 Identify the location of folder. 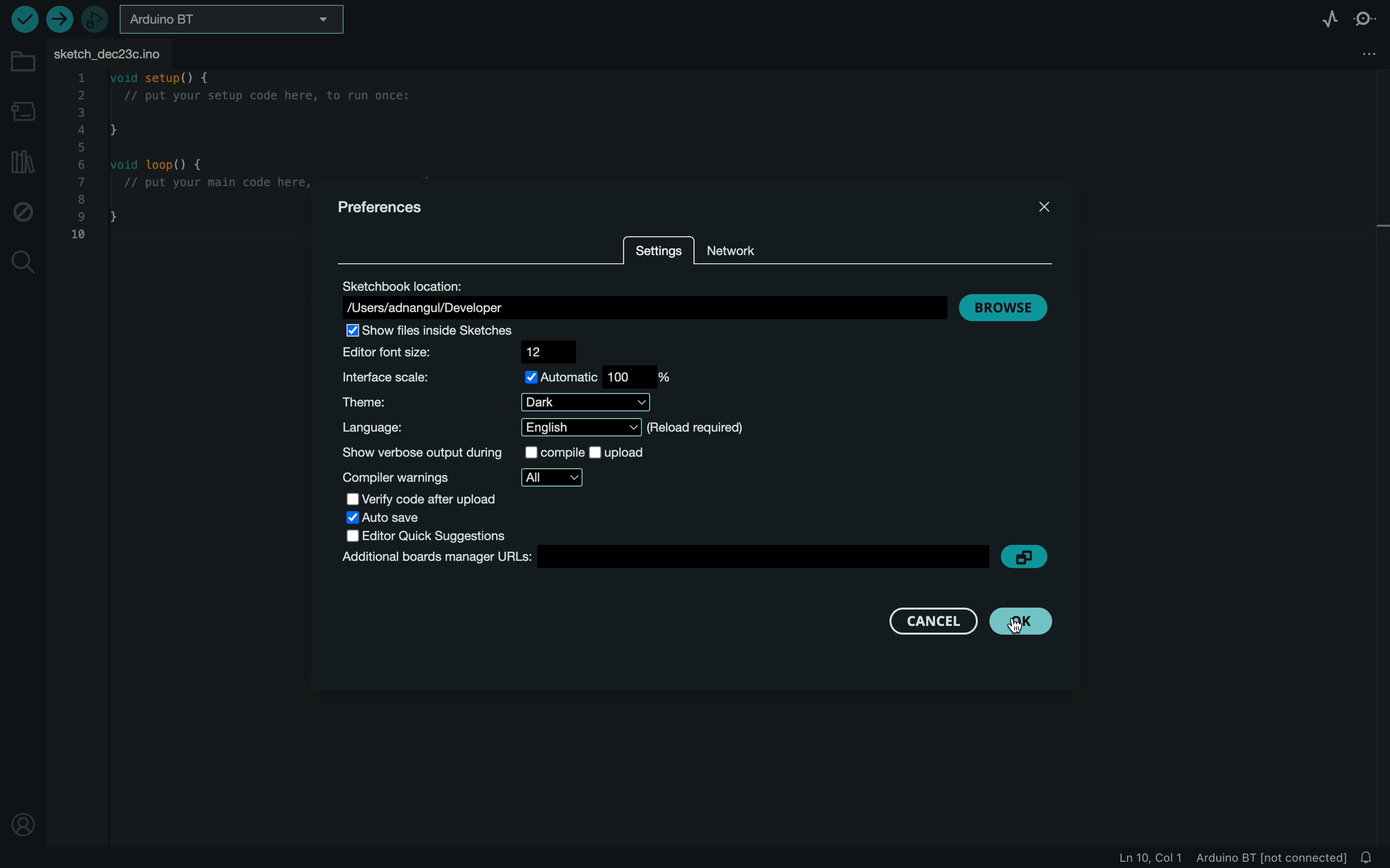
(21, 61).